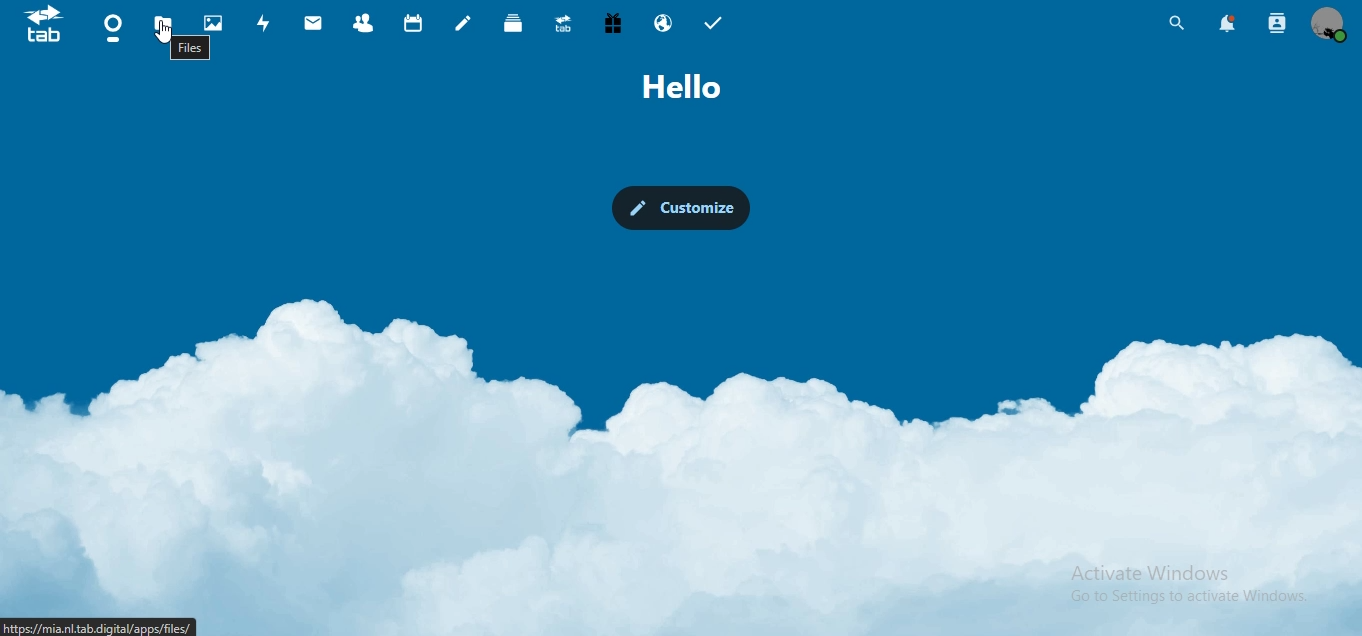 This screenshot has height=636, width=1362. Describe the element at coordinates (1225, 23) in the screenshot. I see `notifications` at that location.